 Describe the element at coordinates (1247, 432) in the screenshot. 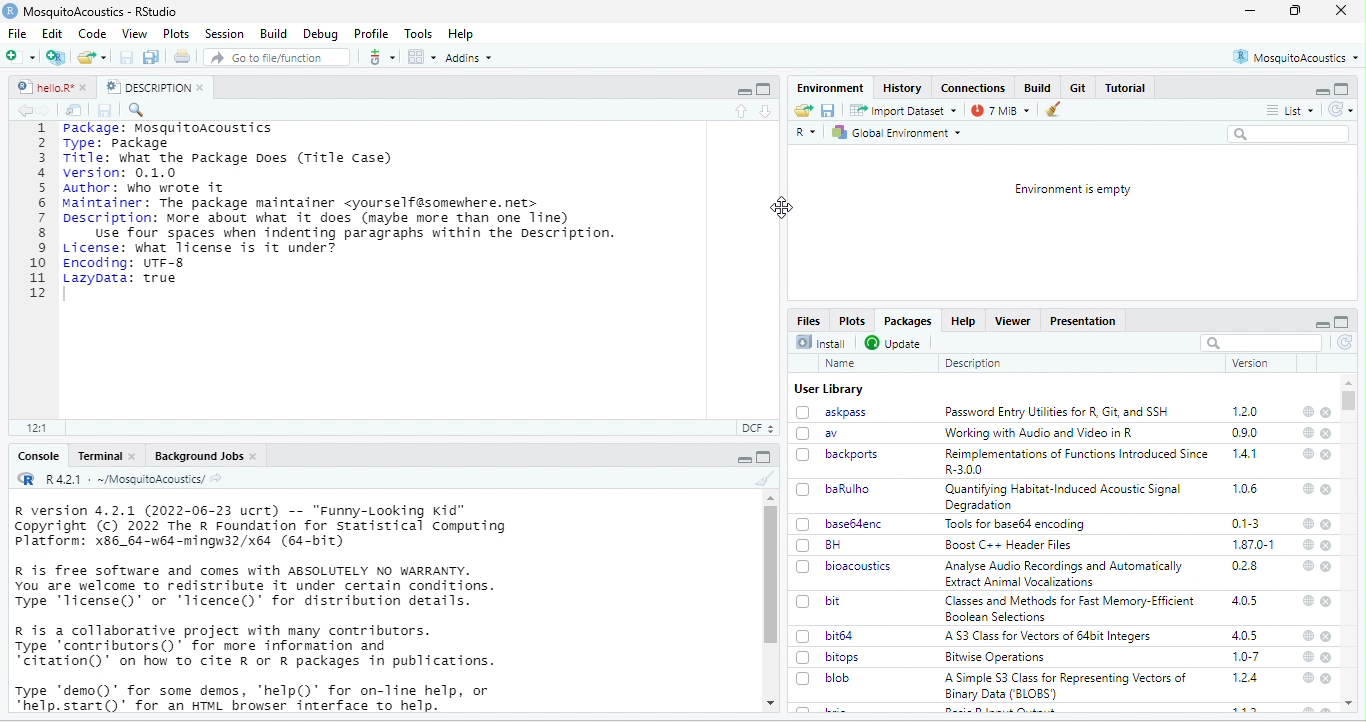

I see `0.9.0` at that location.